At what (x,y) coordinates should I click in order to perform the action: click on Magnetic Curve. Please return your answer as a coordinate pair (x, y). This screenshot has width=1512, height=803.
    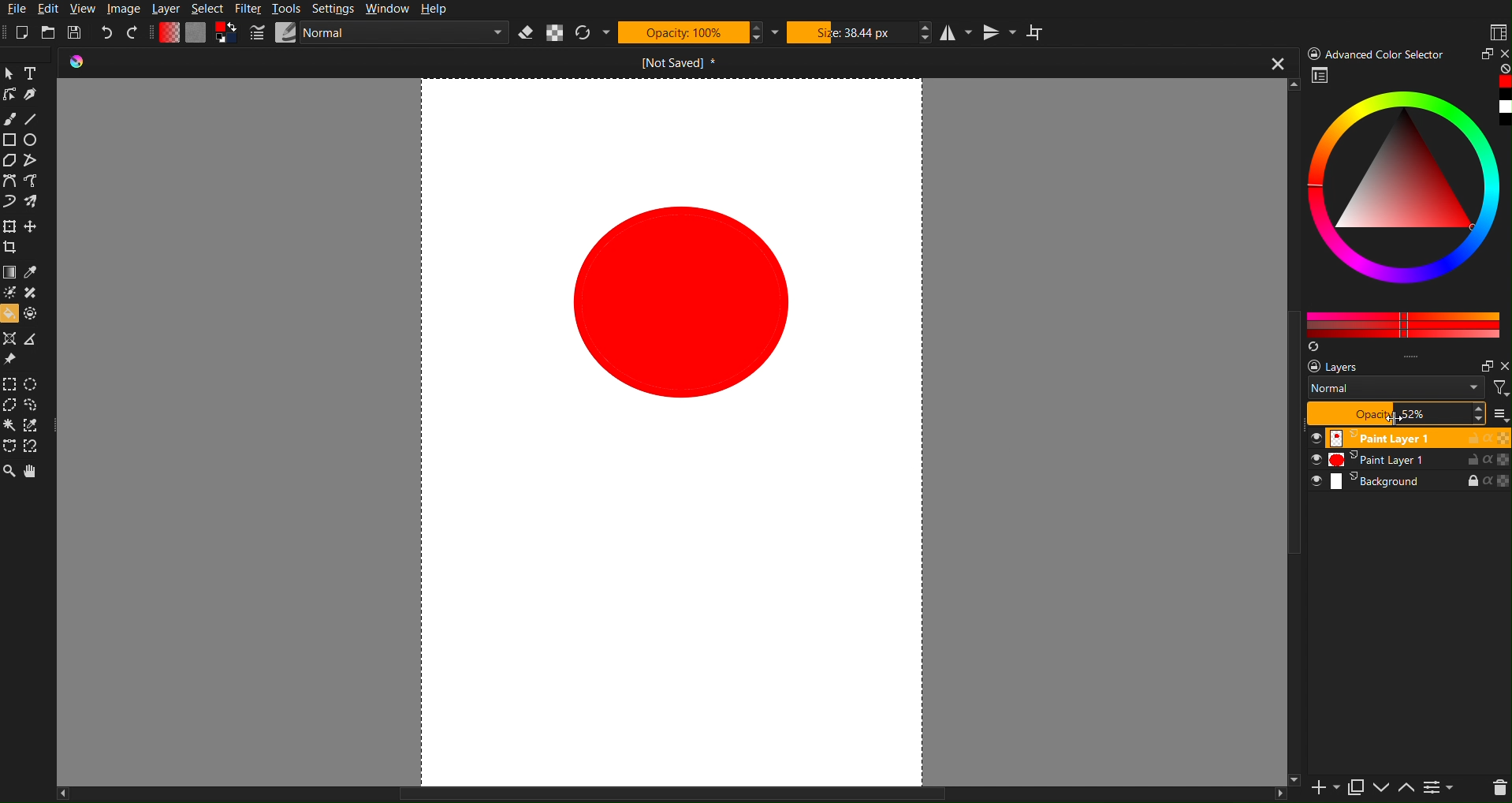
    Looking at the image, I should click on (33, 447).